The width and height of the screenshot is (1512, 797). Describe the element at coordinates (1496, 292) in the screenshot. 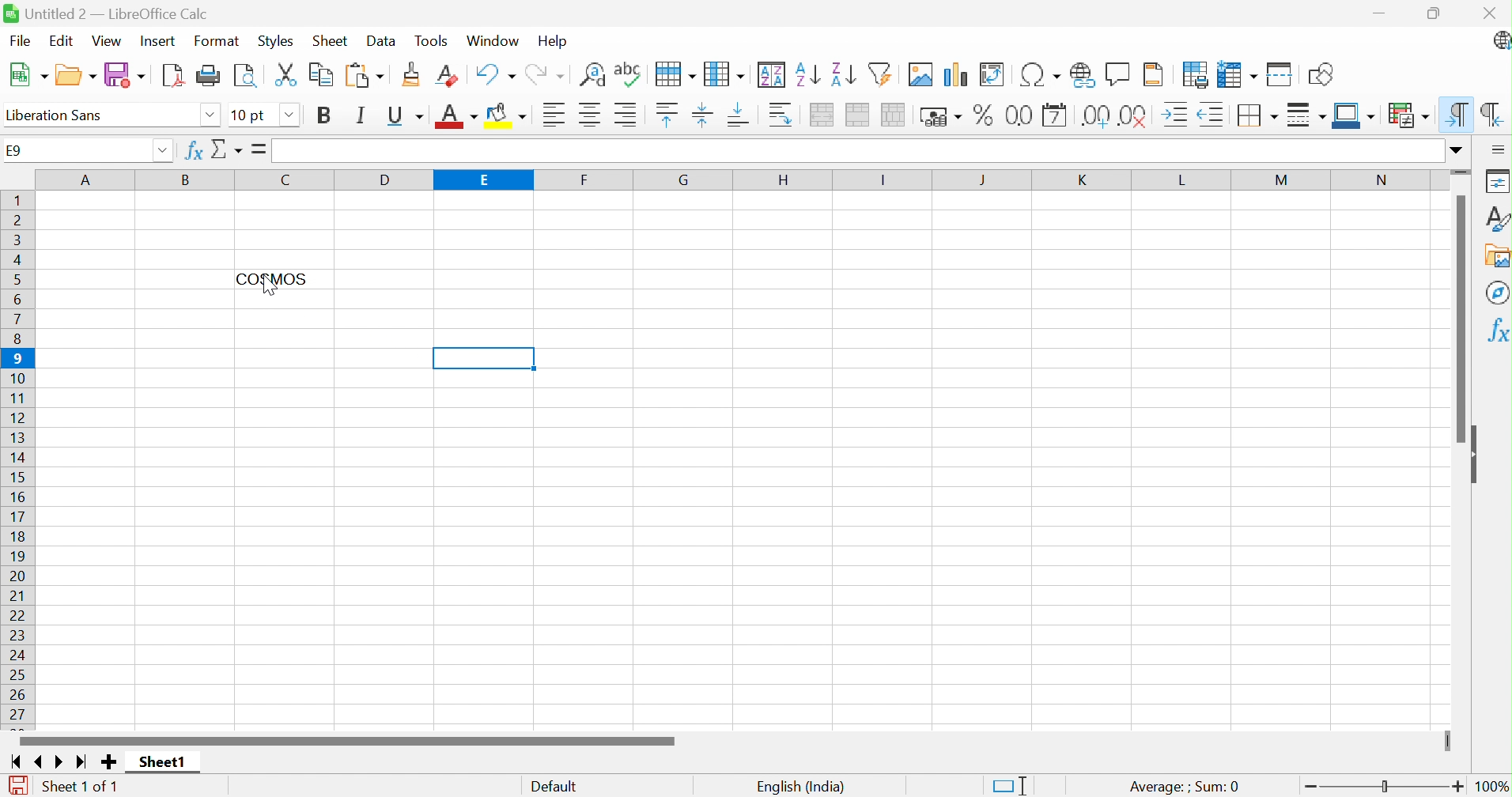

I see `Navigator` at that location.